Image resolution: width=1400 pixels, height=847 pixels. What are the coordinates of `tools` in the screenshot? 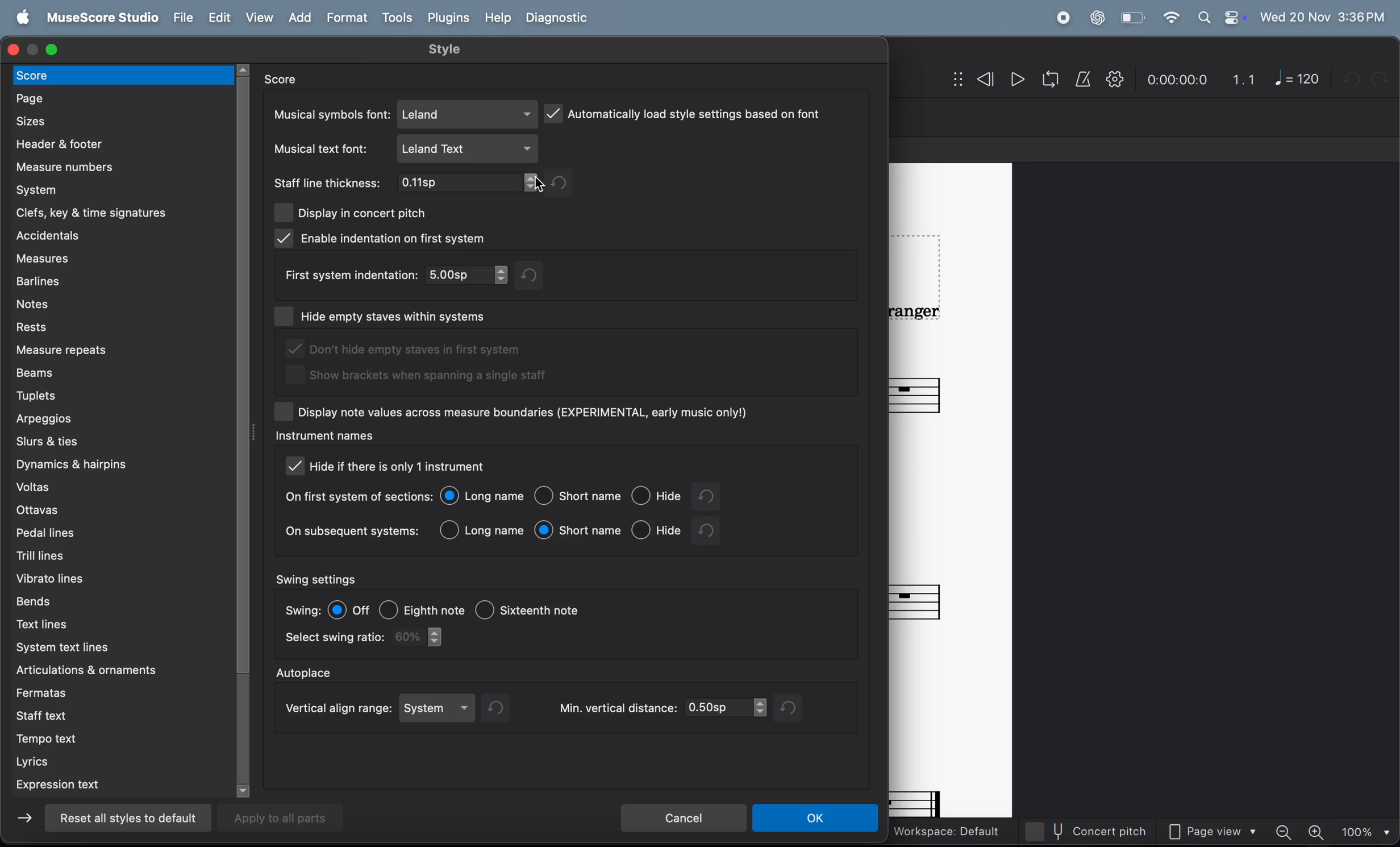 It's located at (397, 19).